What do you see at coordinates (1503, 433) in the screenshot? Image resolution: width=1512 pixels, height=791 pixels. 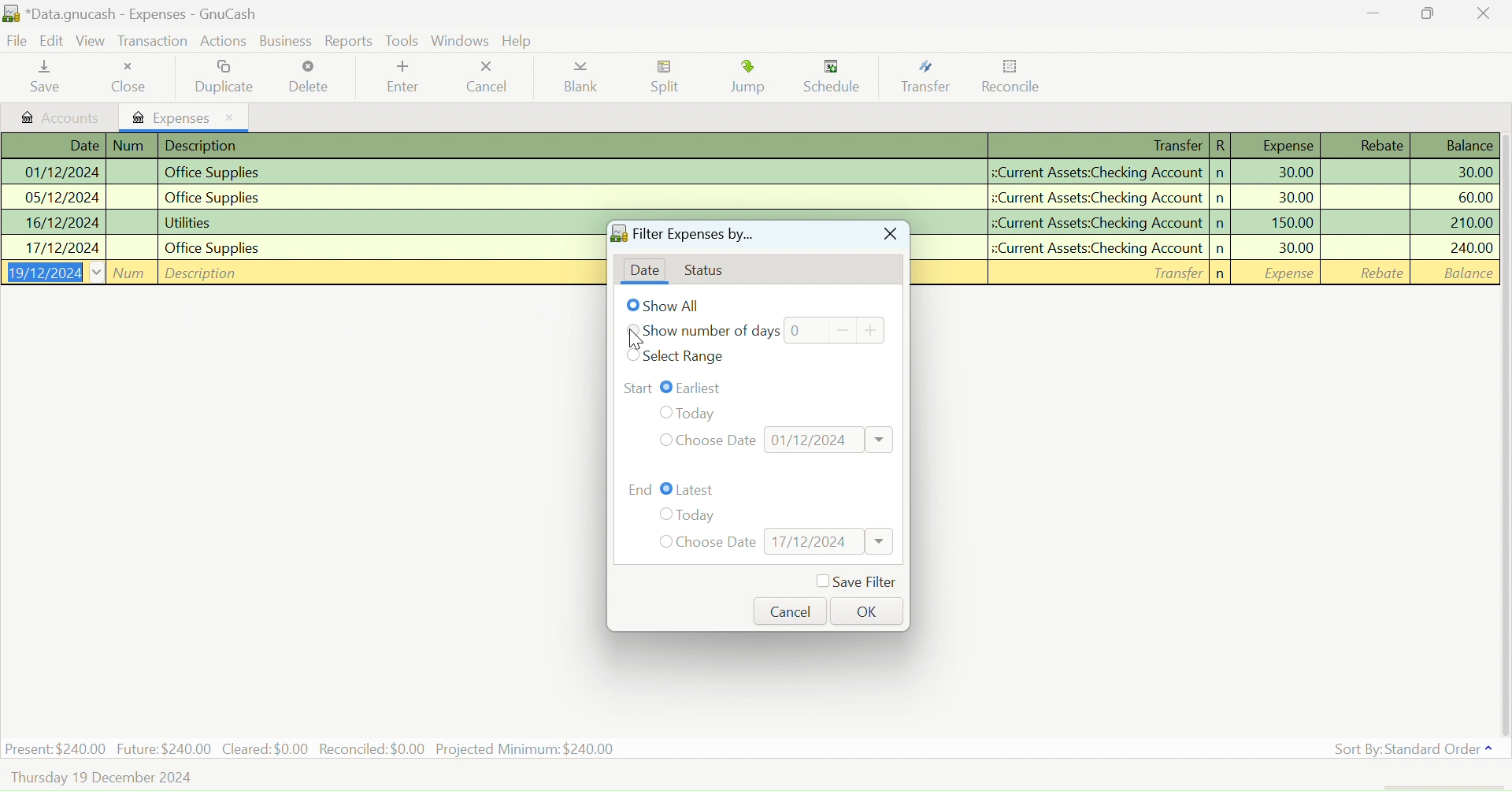 I see `vertical scroll bar` at bounding box center [1503, 433].